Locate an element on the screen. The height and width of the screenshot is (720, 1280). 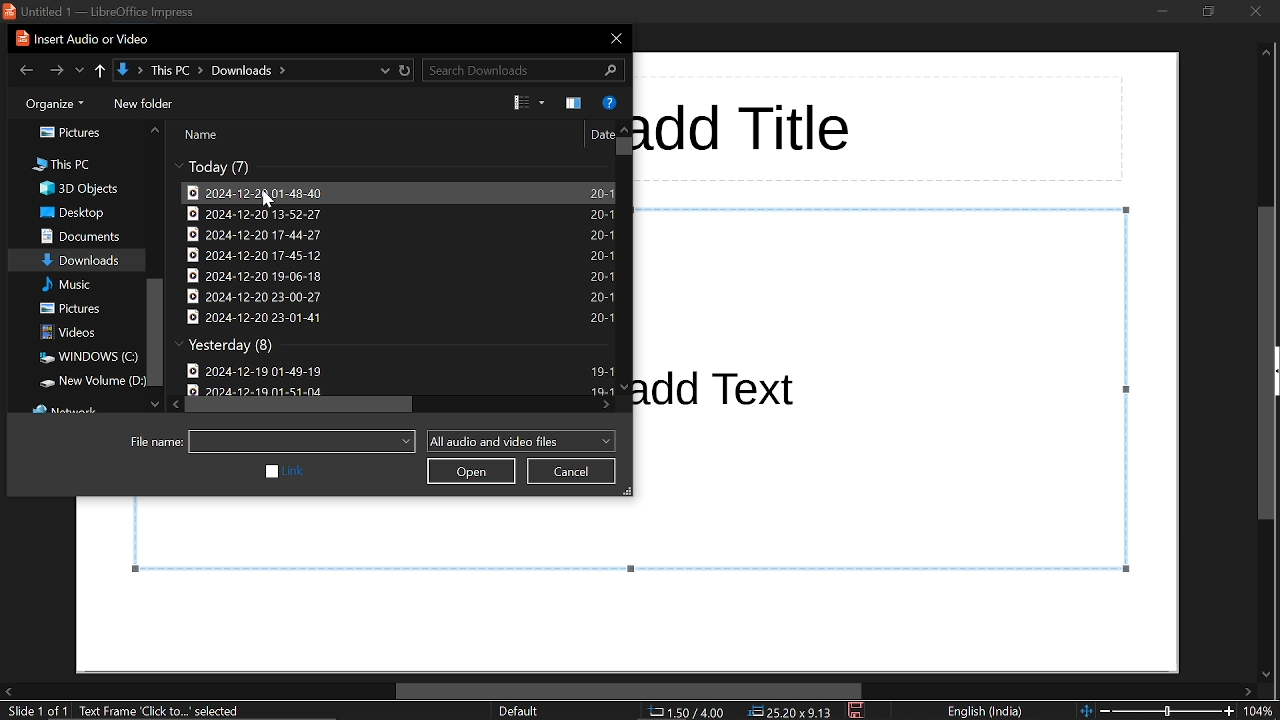
save is located at coordinates (857, 711).